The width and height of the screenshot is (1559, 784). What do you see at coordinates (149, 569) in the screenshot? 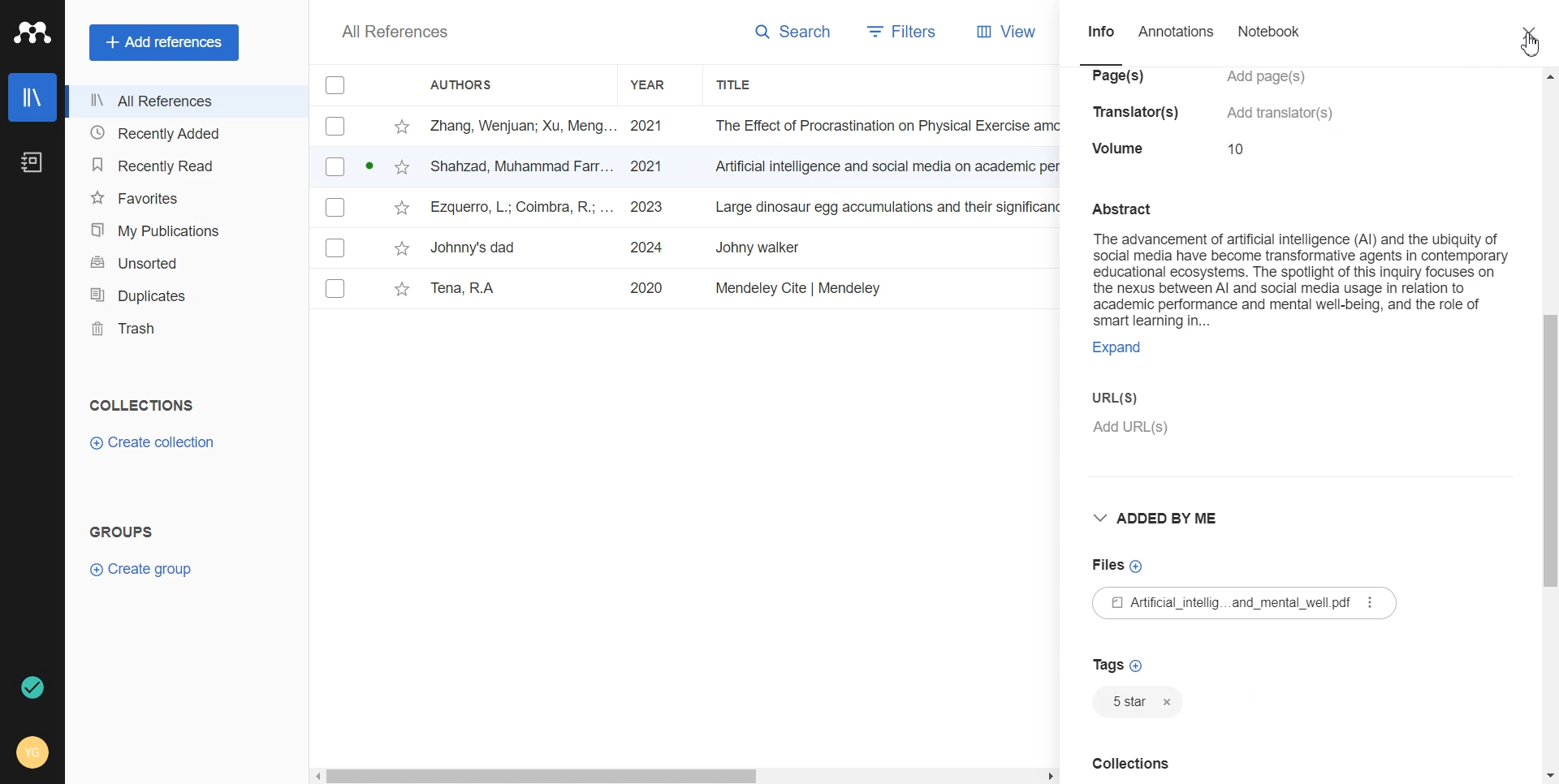
I see `Create Group` at bounding box center [149, 569].